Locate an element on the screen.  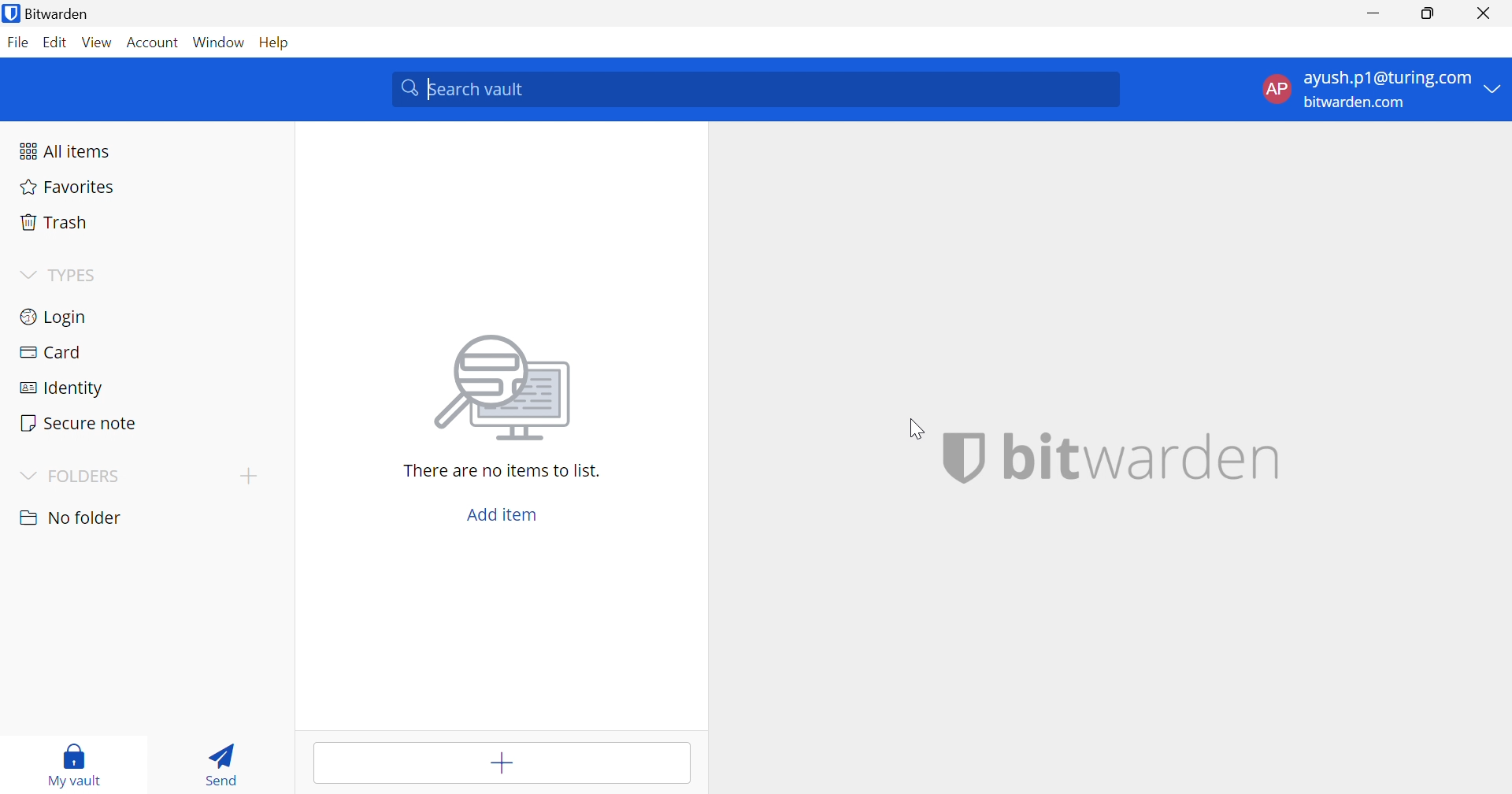
Identity is located at coordinates (62, 387).